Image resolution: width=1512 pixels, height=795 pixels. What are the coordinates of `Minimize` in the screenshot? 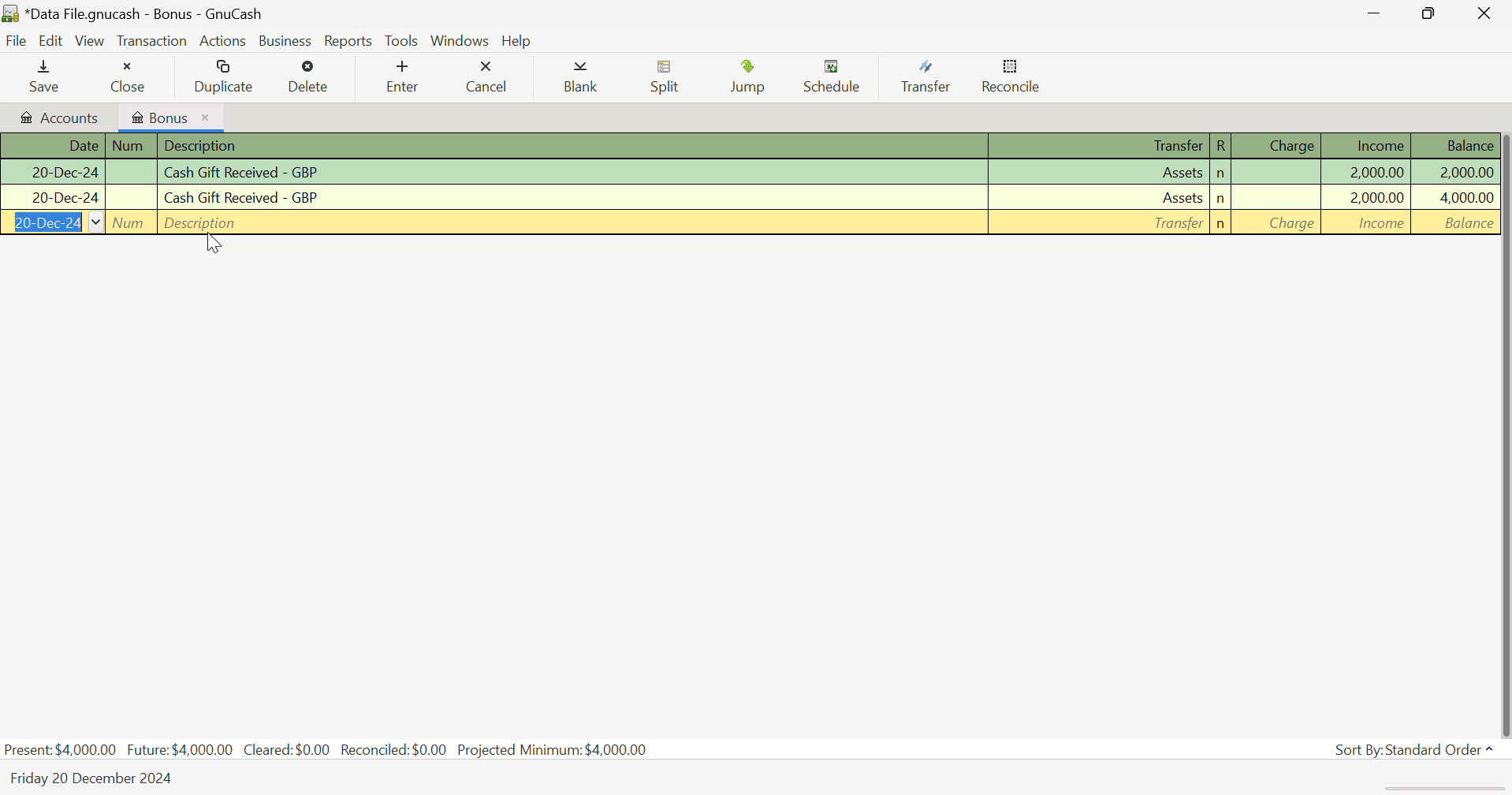 It's located at (1434, 13).